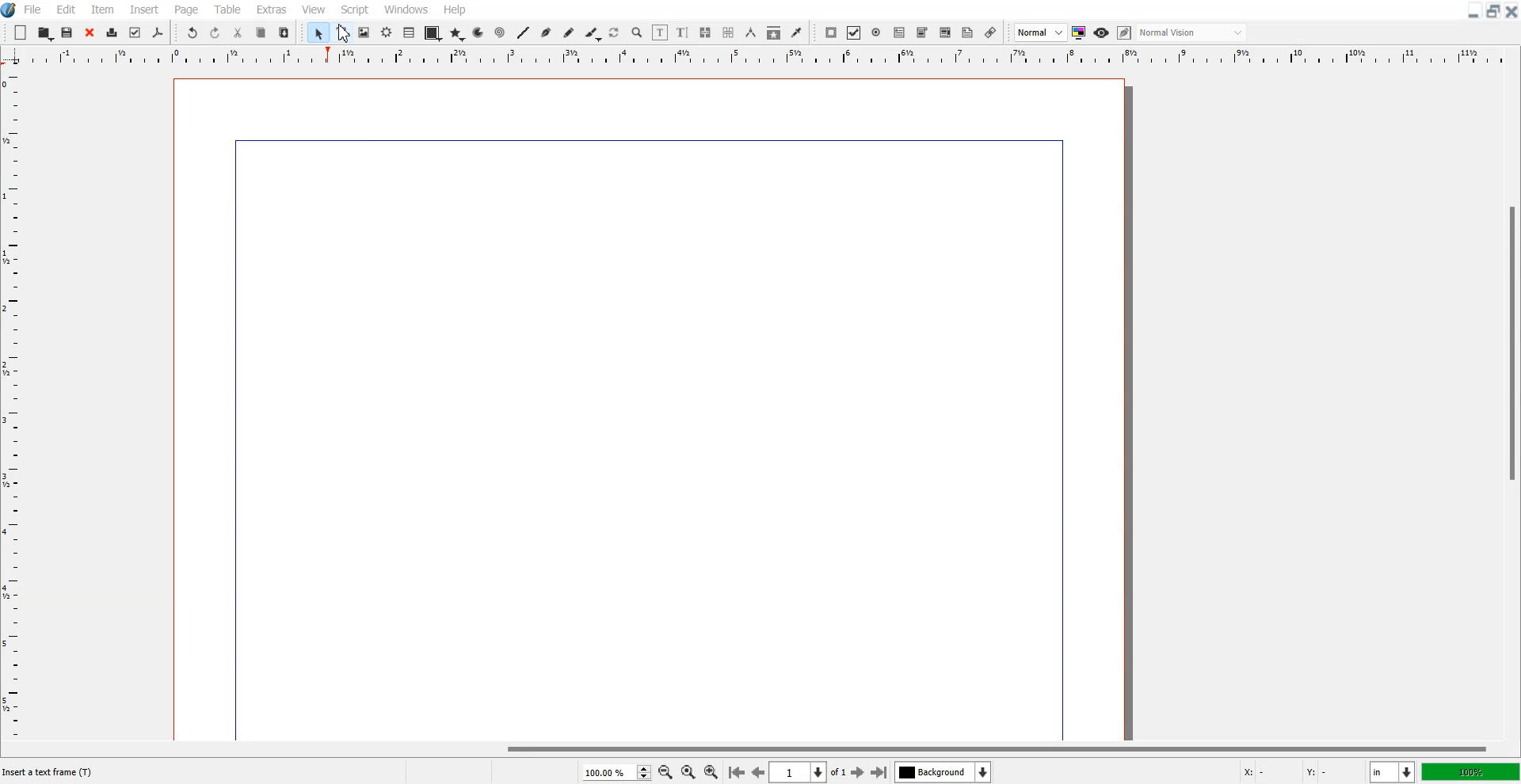 This screenshot has height=784, width=1521. Describe the element at coordinates (387, 32) in the screenshot. I see `Render frame` at that location.